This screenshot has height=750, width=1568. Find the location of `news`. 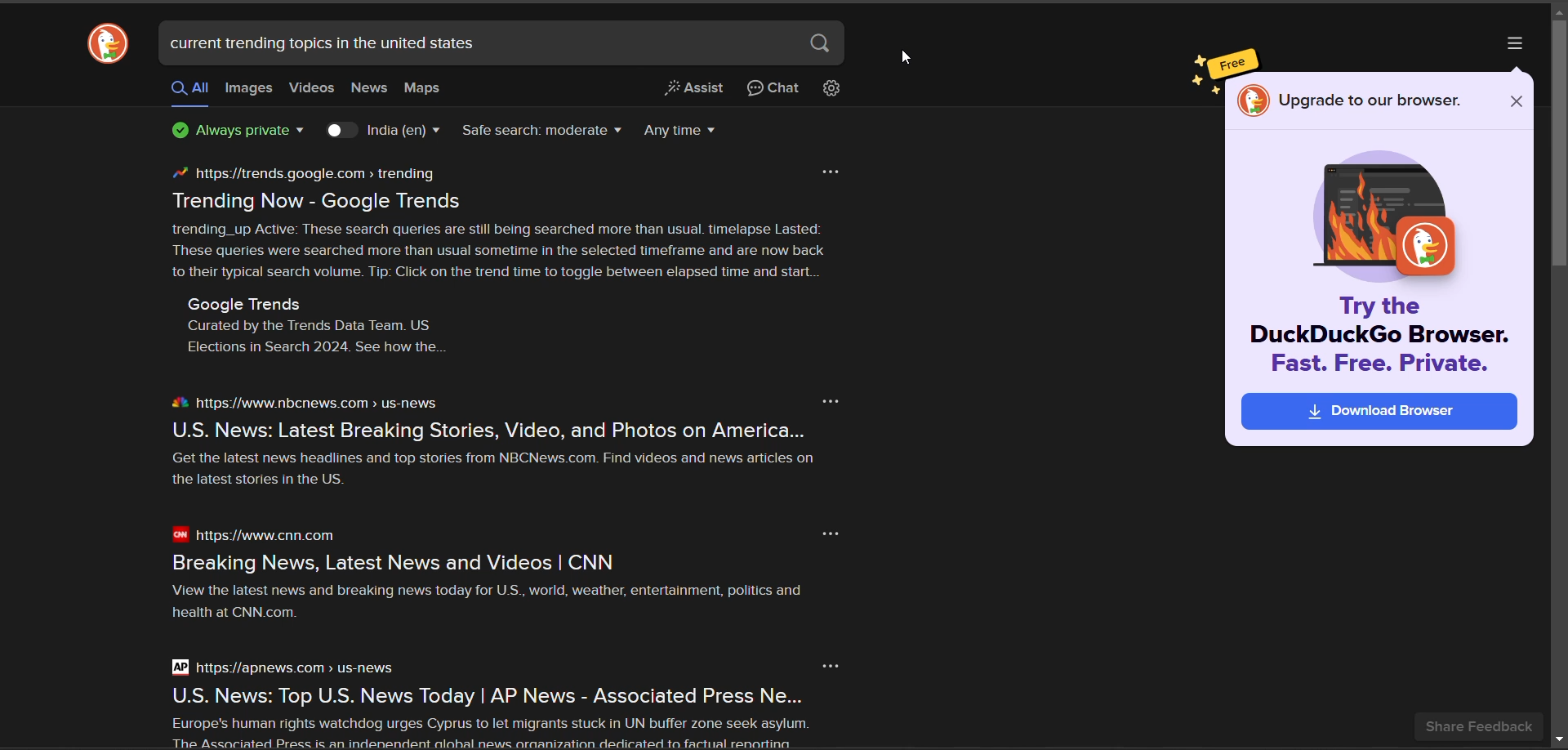

news is located at coordinates (368, 91).